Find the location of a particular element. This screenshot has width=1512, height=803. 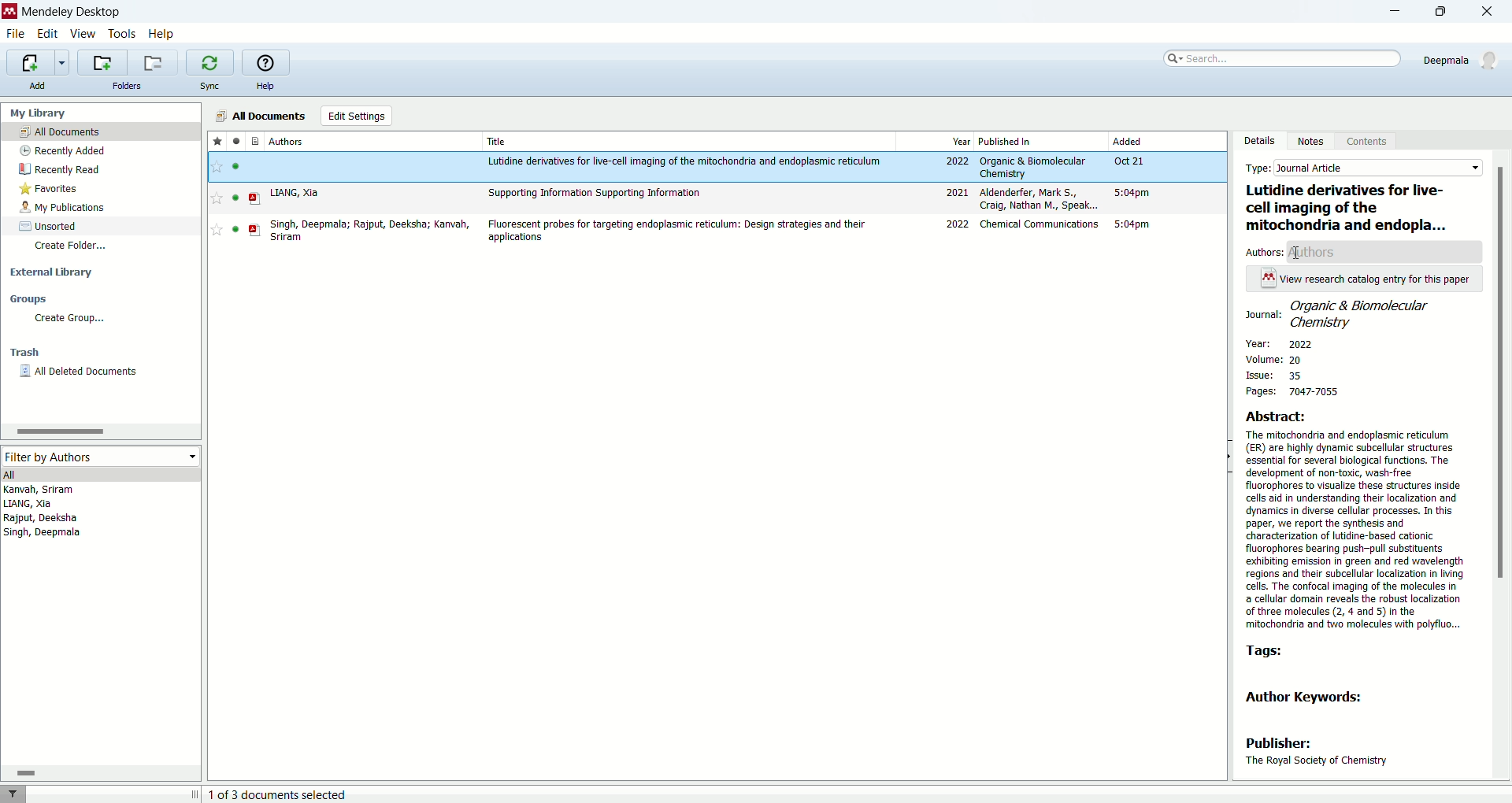

PDF is located at coordinates (256, 231).